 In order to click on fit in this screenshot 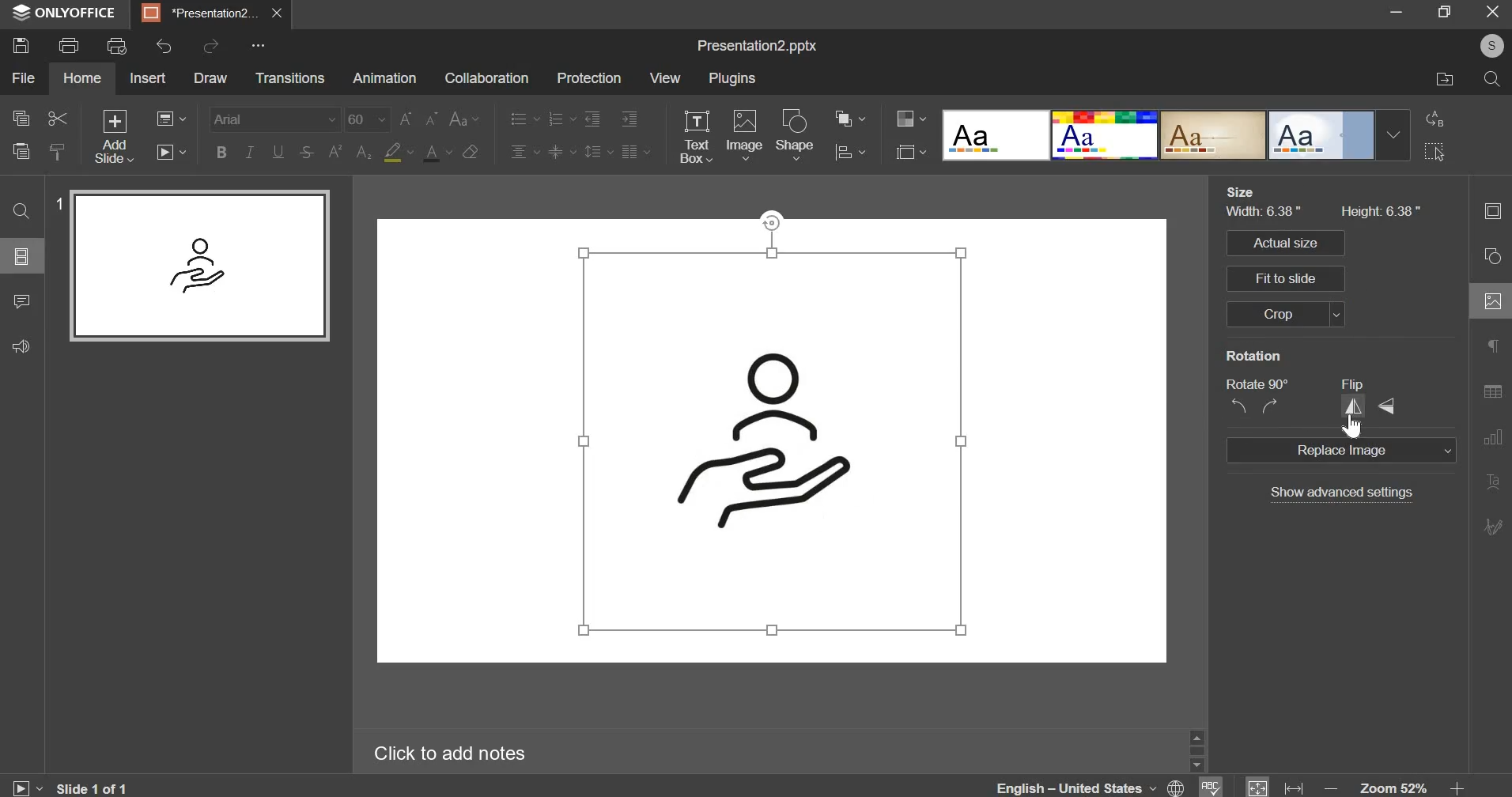, I will do `click(1276, 786)`.